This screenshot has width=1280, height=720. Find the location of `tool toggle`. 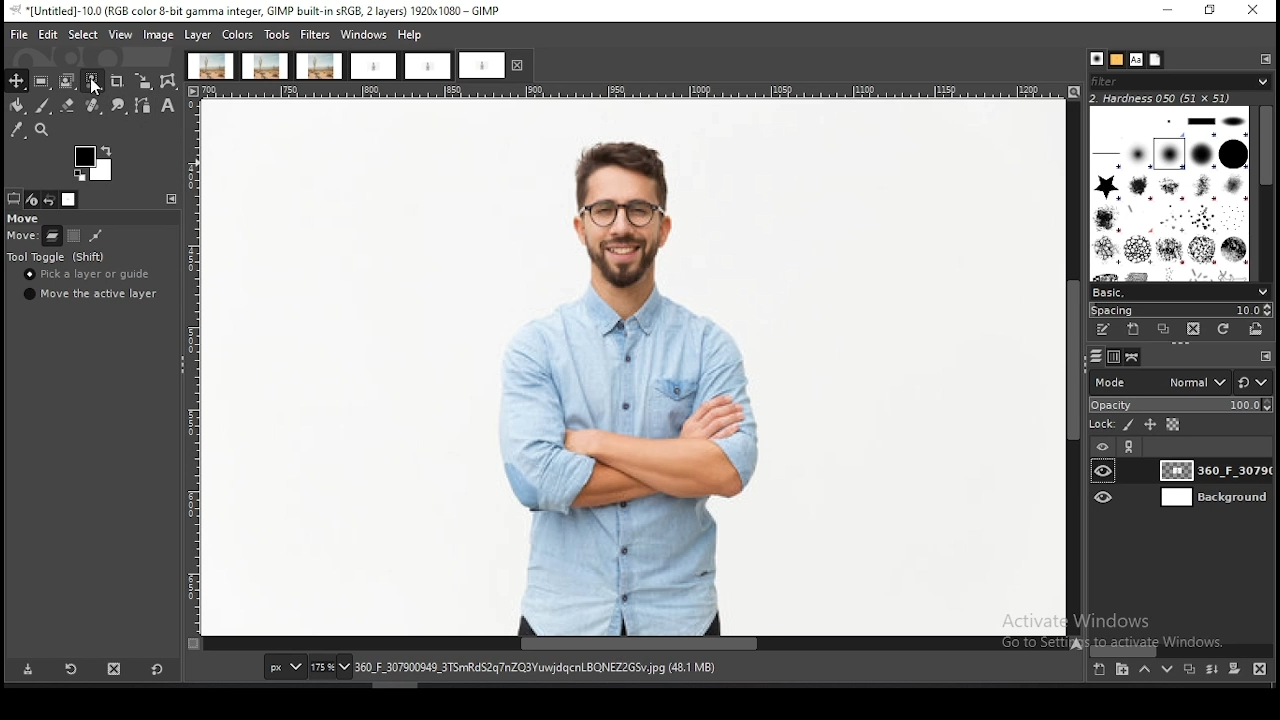

tool toggle is located at coordinates (56, 256).